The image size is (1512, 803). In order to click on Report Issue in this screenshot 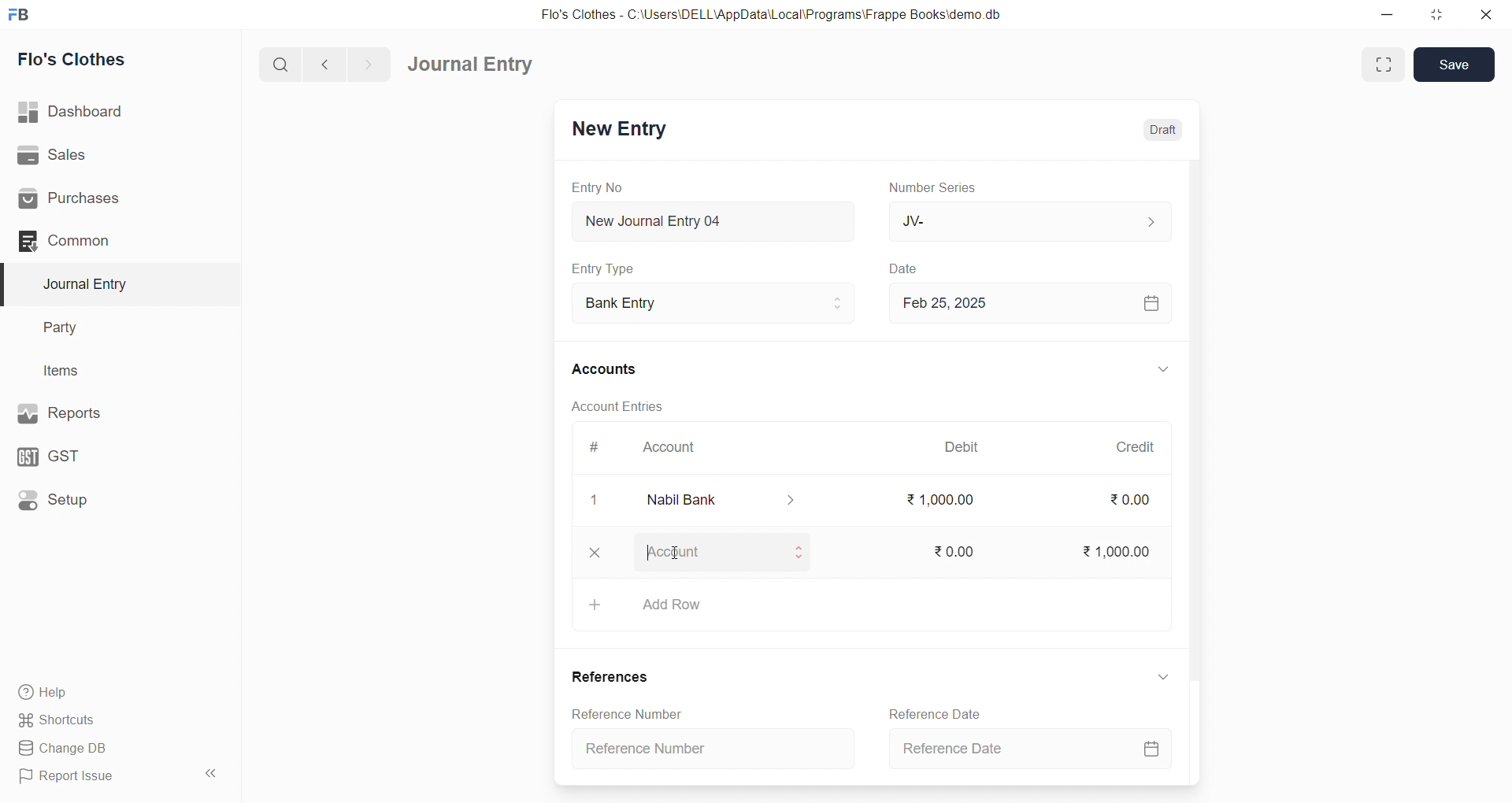, I will do `click(98, 776)`.